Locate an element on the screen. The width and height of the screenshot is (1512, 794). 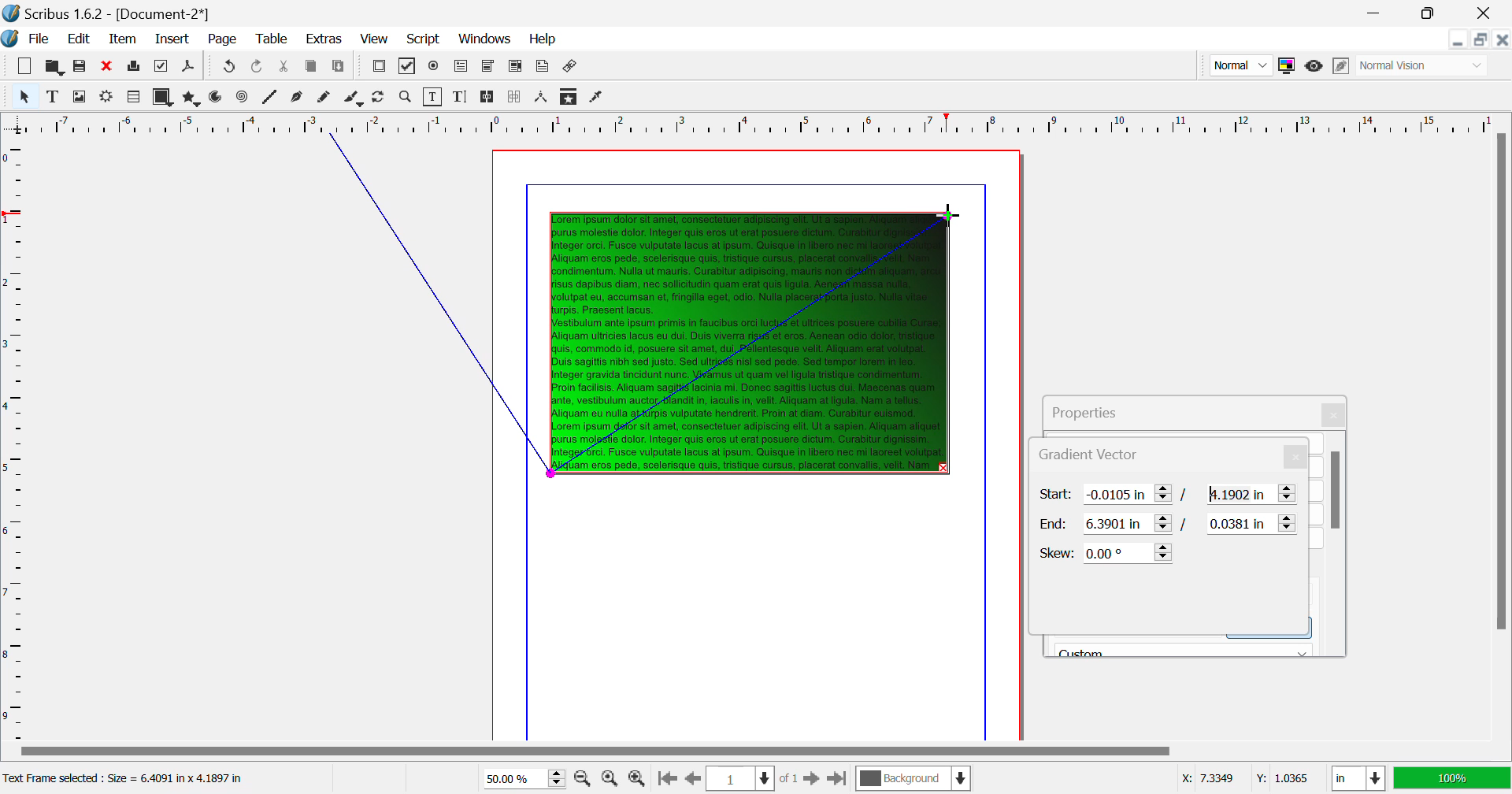
Discard is located at coordinates (107, 66).